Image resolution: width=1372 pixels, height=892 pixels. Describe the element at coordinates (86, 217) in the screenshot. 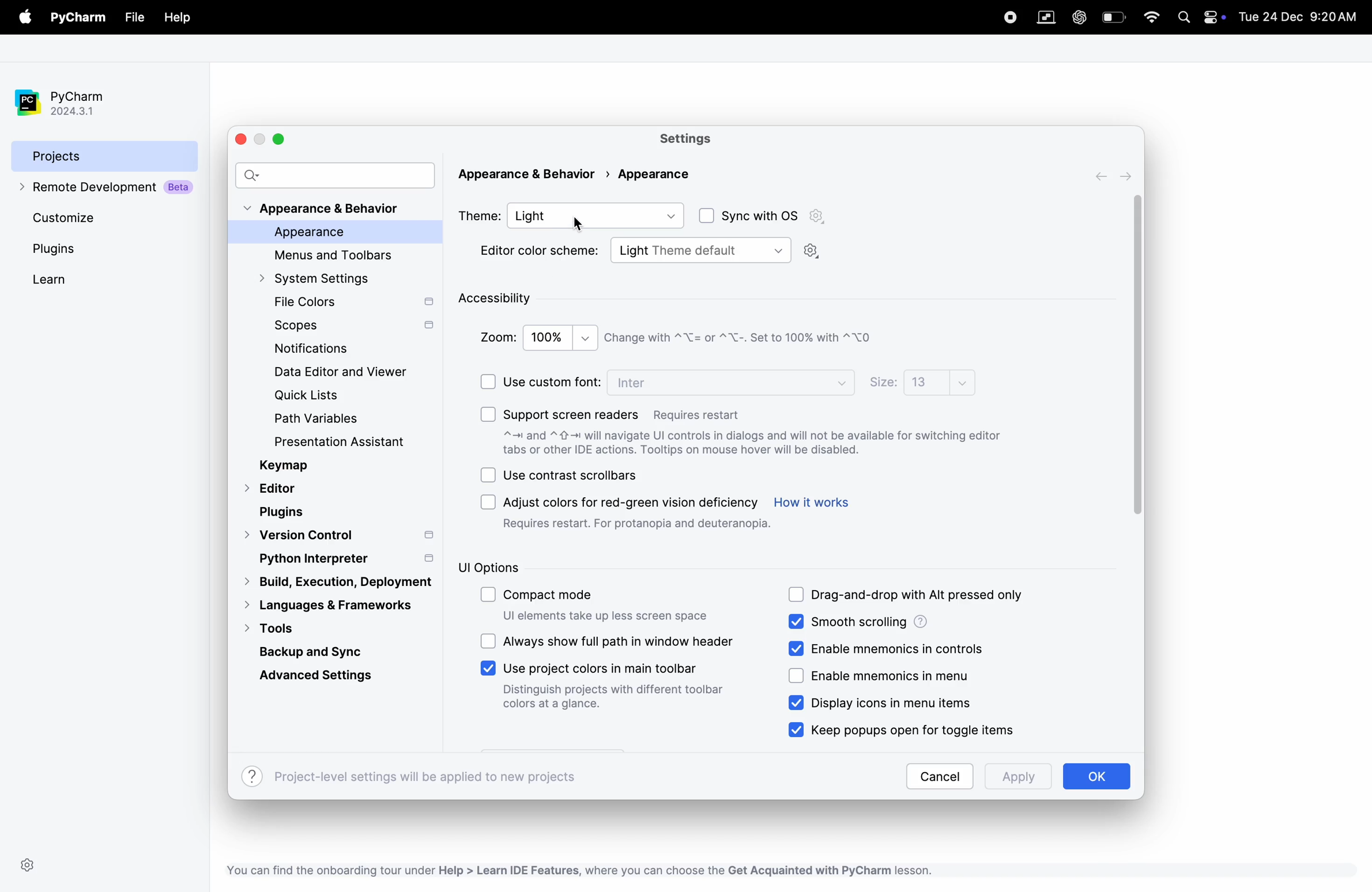

I see `customize` at that location.